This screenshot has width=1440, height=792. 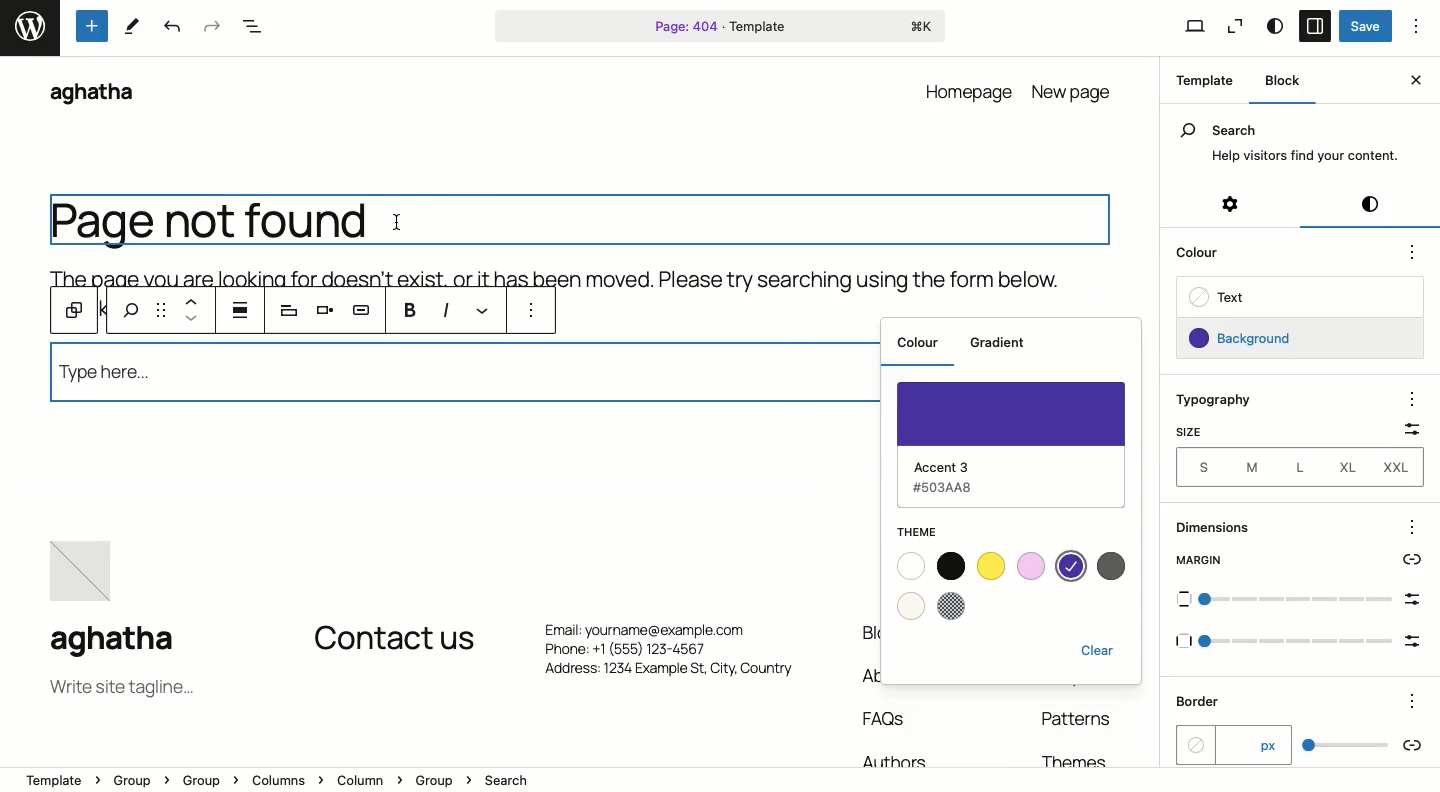 I want to click on Phone: +1 (555) 123-4567, so click(x=665, y=650).